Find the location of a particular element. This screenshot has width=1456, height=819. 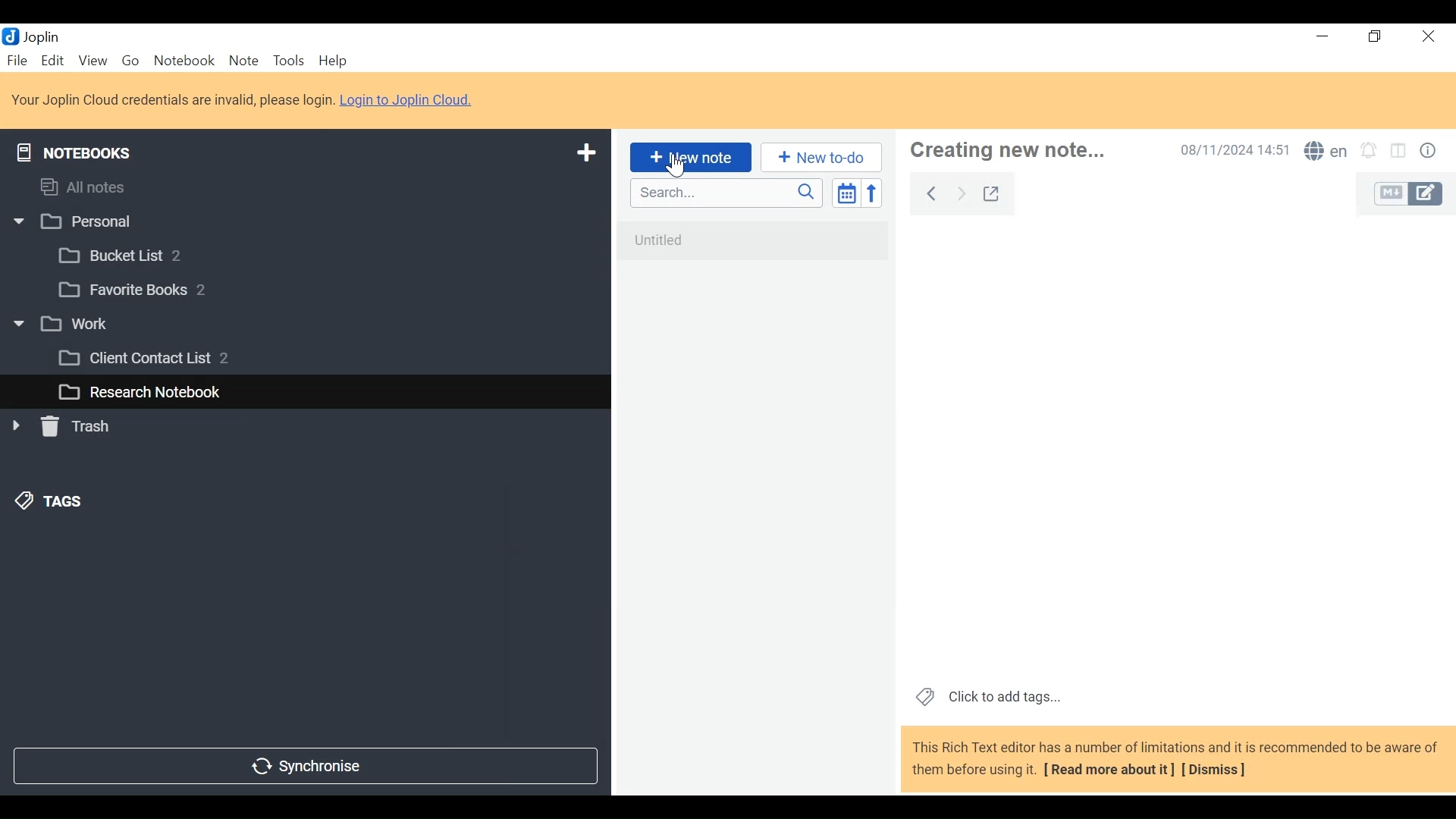

[3 Favorite Books 2 is located at coordinates (145, 290).